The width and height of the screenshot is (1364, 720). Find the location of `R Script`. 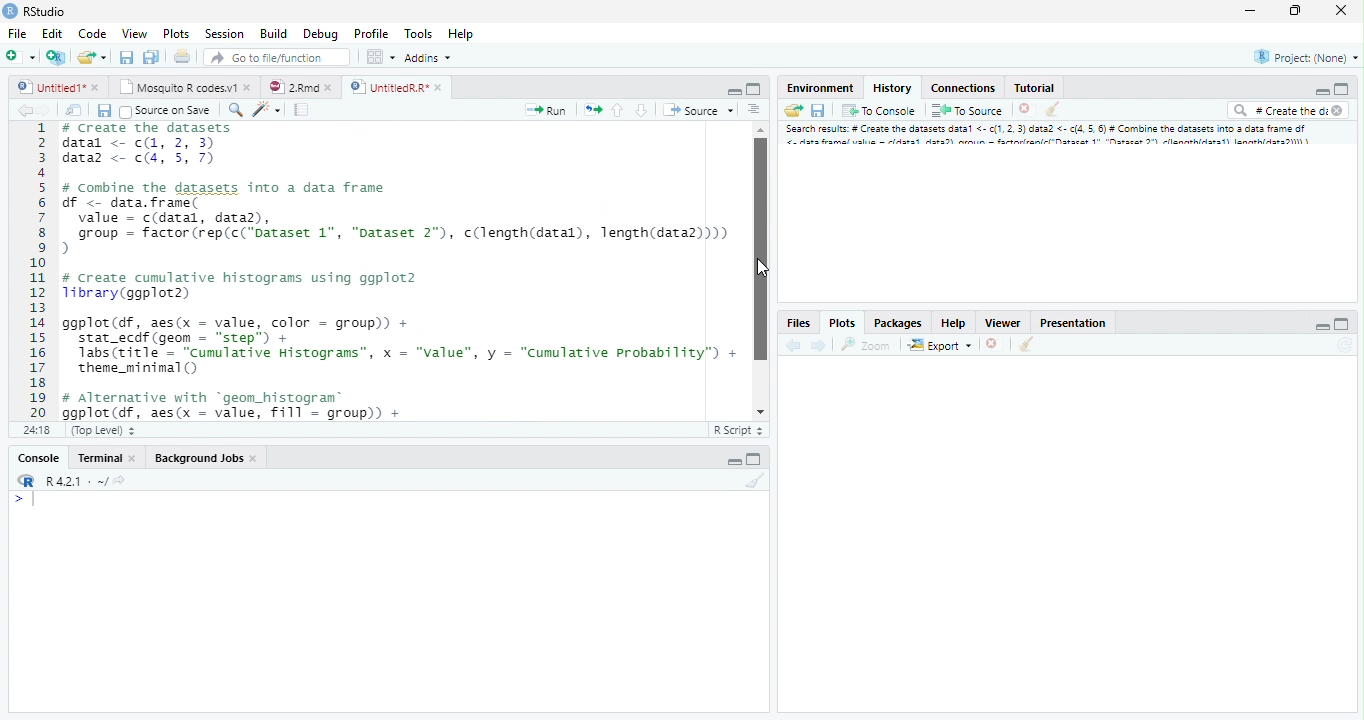

R Script is located at coordinates (738, 430).